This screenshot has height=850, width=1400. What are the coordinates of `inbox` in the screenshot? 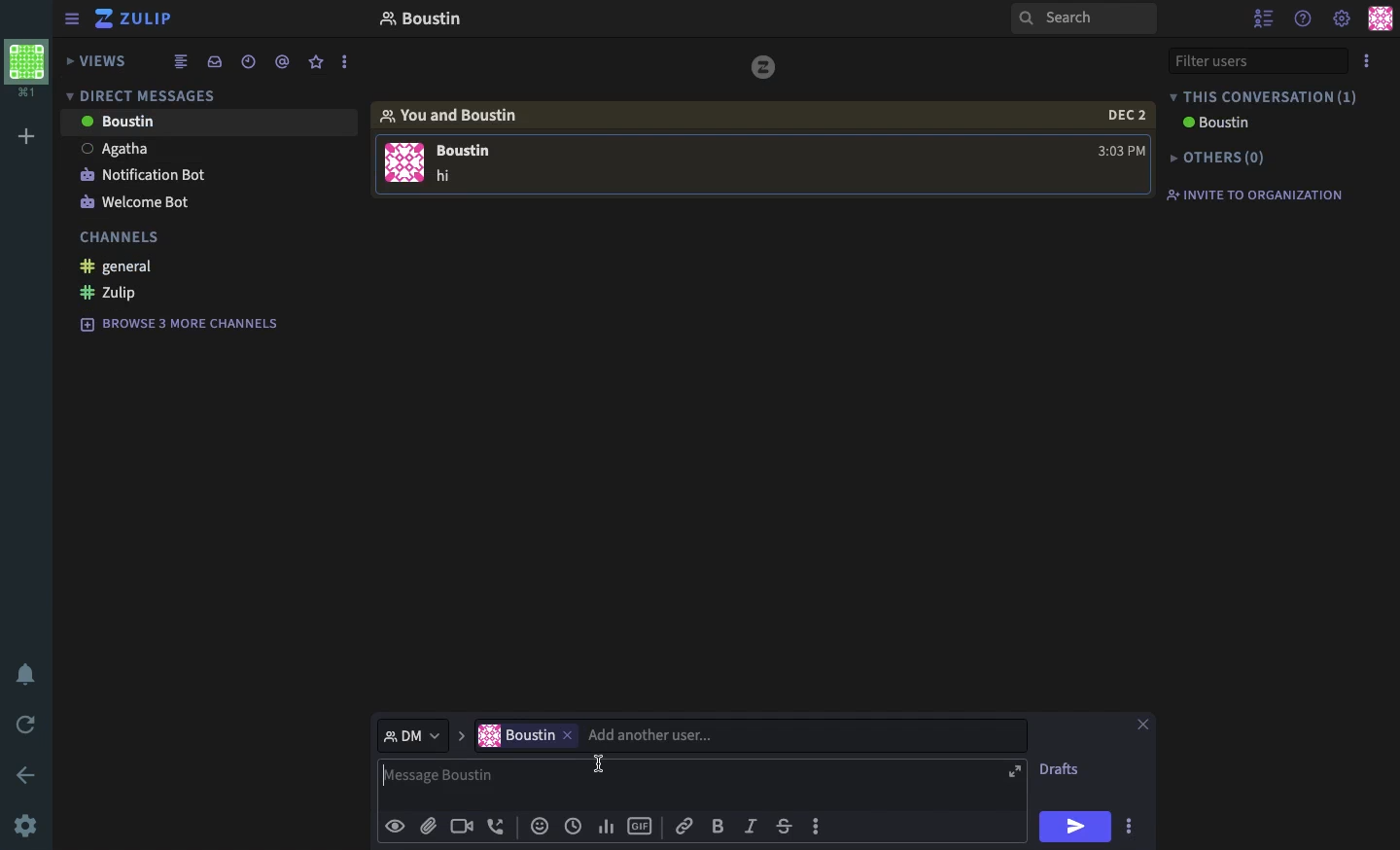 It's located at (217, 61).